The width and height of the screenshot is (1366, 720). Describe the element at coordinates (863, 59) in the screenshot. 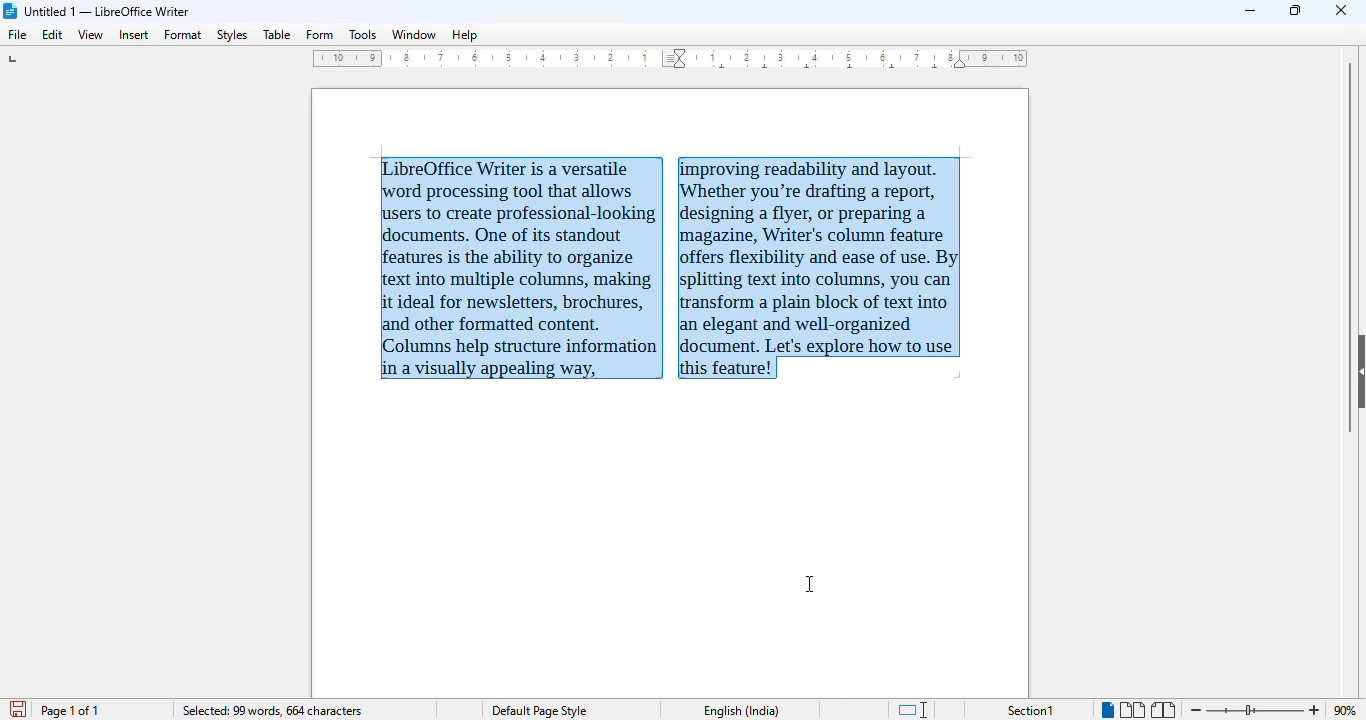

I see `ruler` at that location.